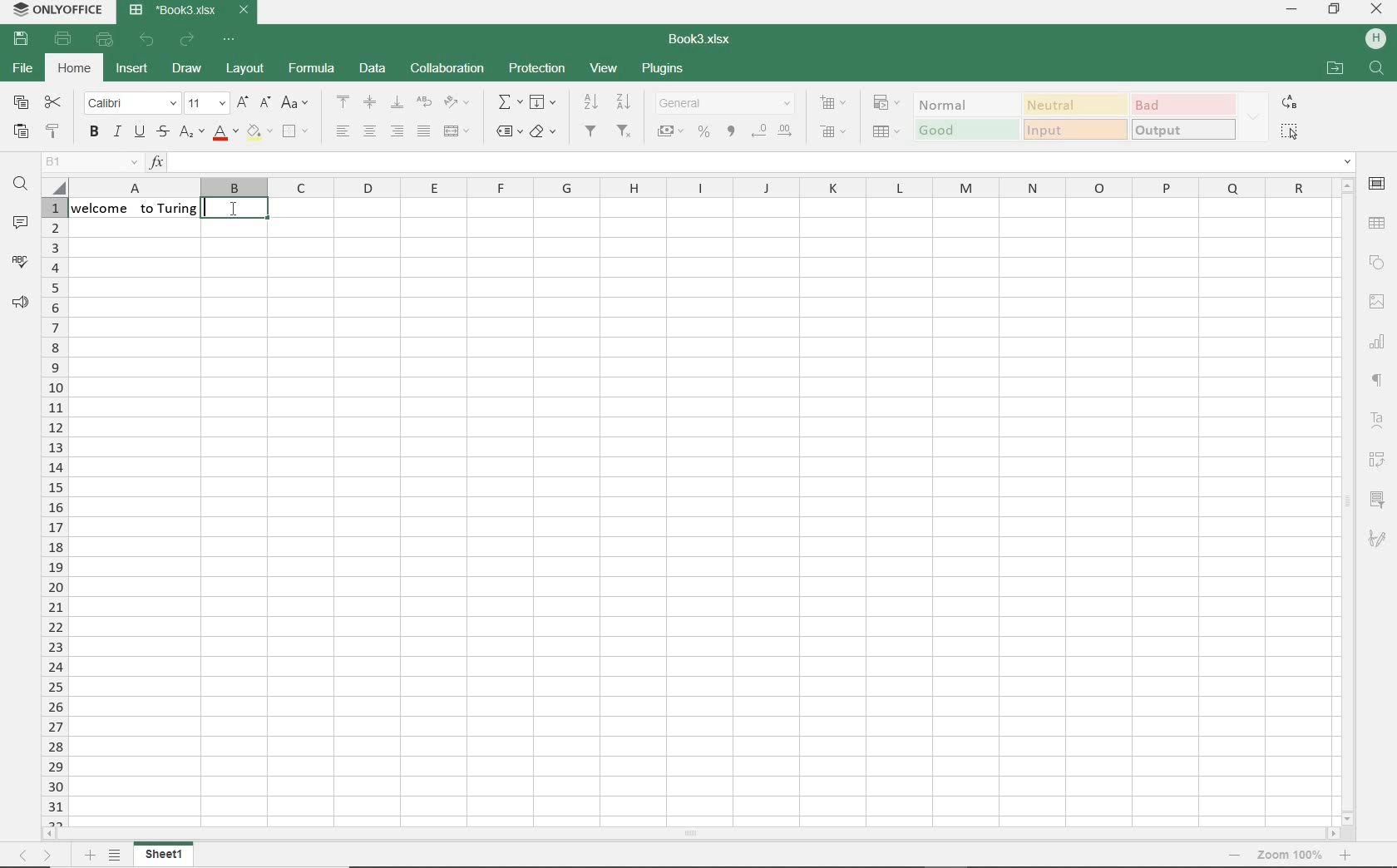 This screenshot has height=868, width=1397. I want to click on list of sheets, so click(116, 856).